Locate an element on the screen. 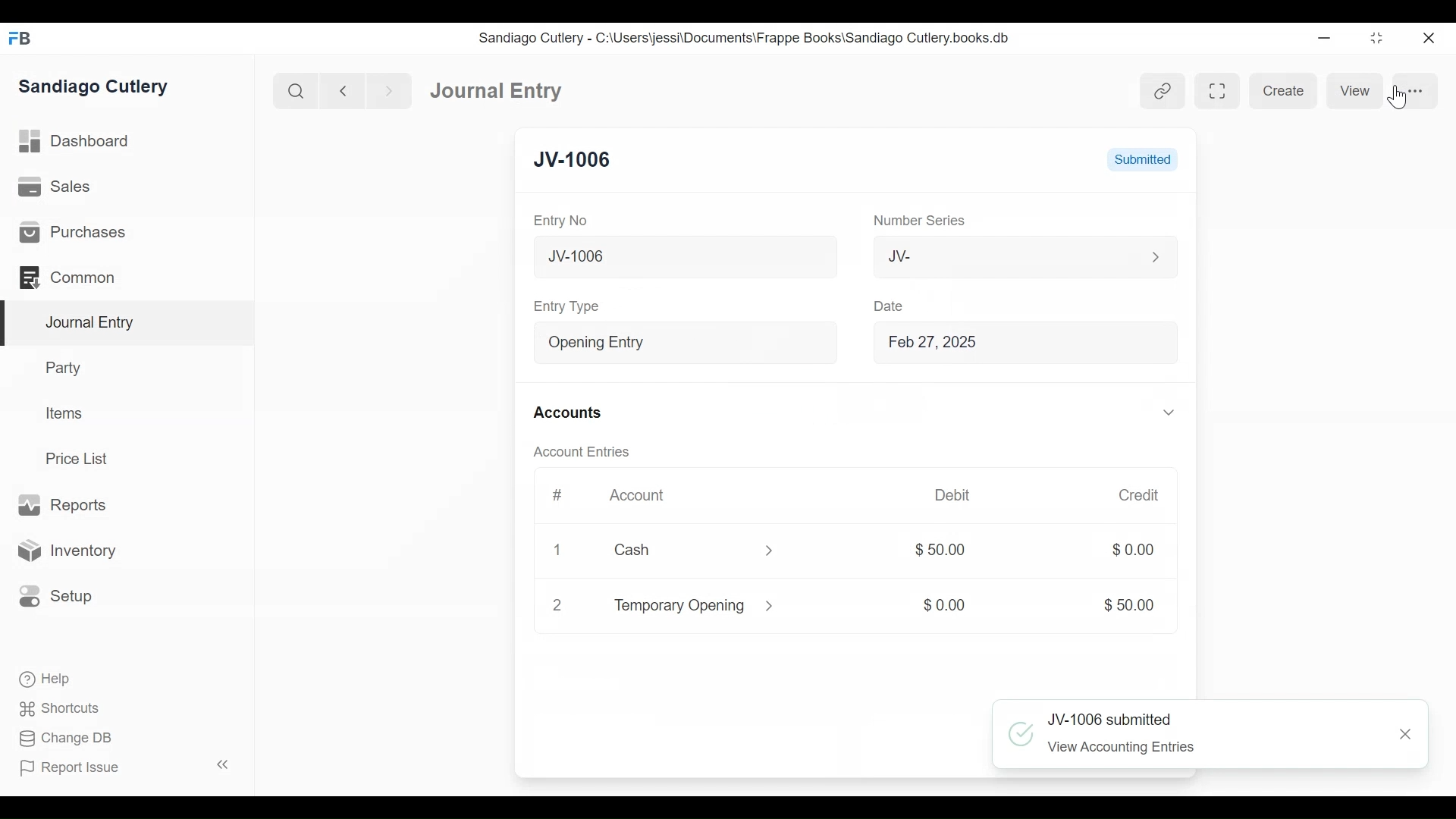  Account is located at coordinates (639, 496).